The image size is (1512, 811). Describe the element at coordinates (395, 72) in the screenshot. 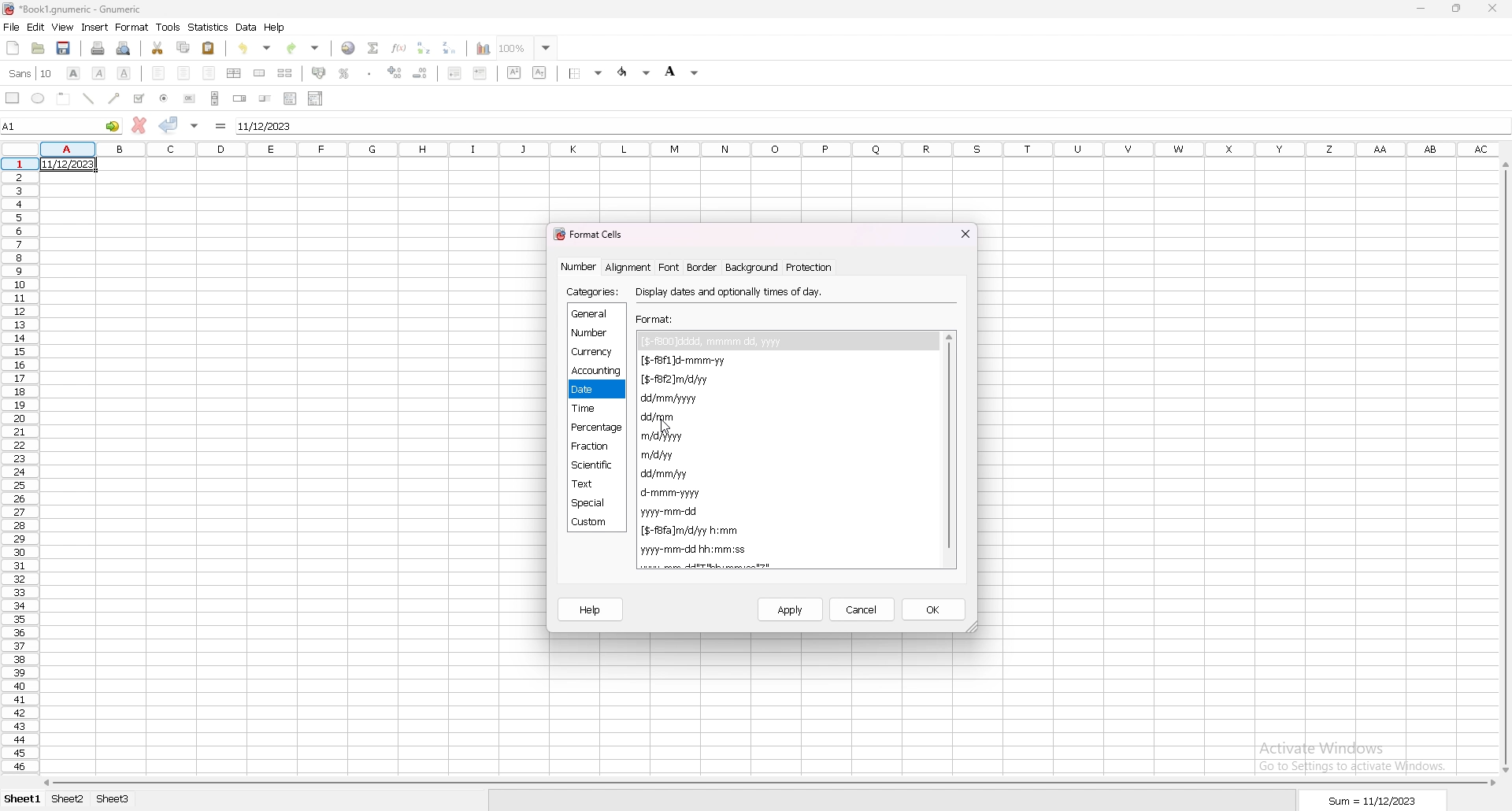

I see `increase indent` at that location.